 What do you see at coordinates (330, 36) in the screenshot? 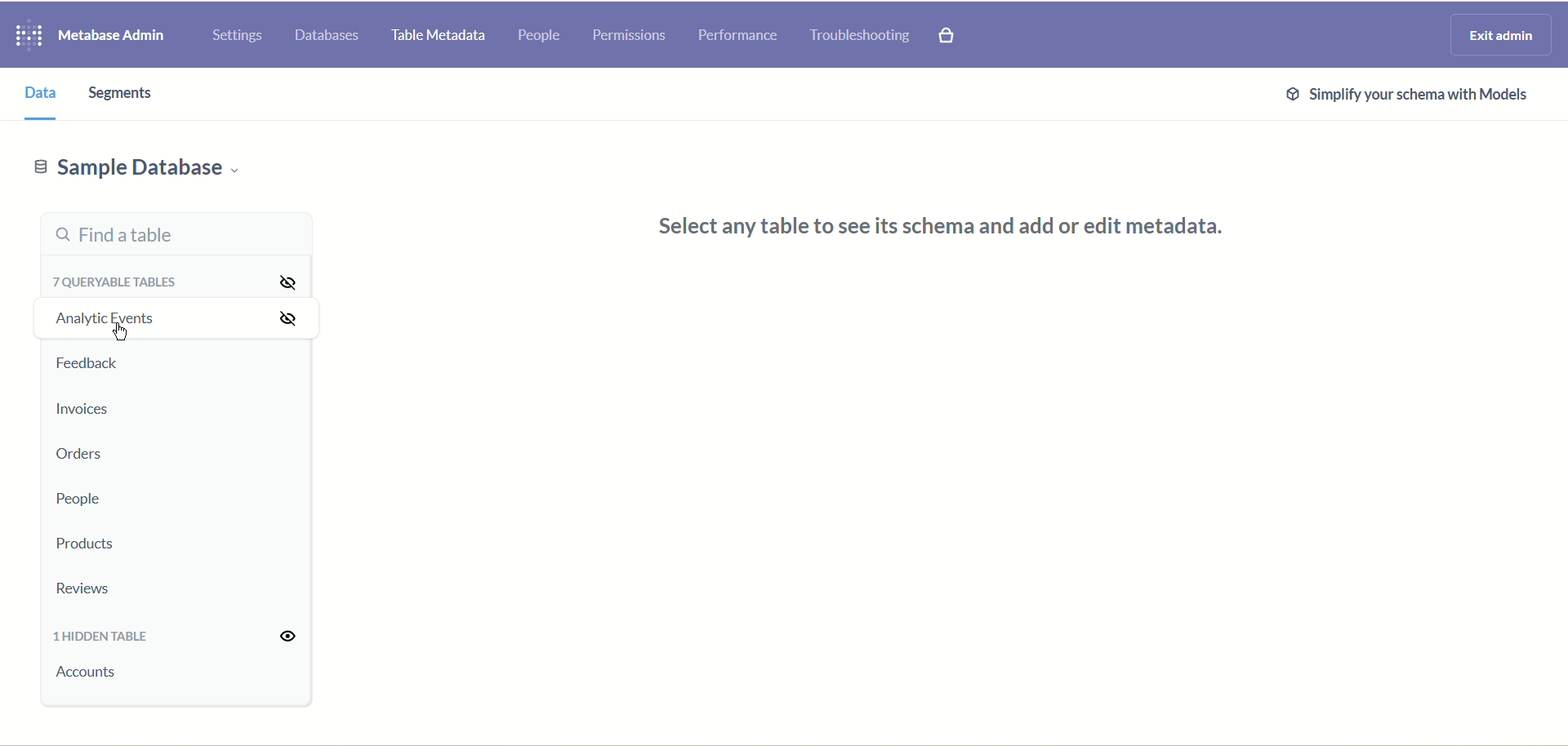
I see `database` at bounding box center [330, 36].